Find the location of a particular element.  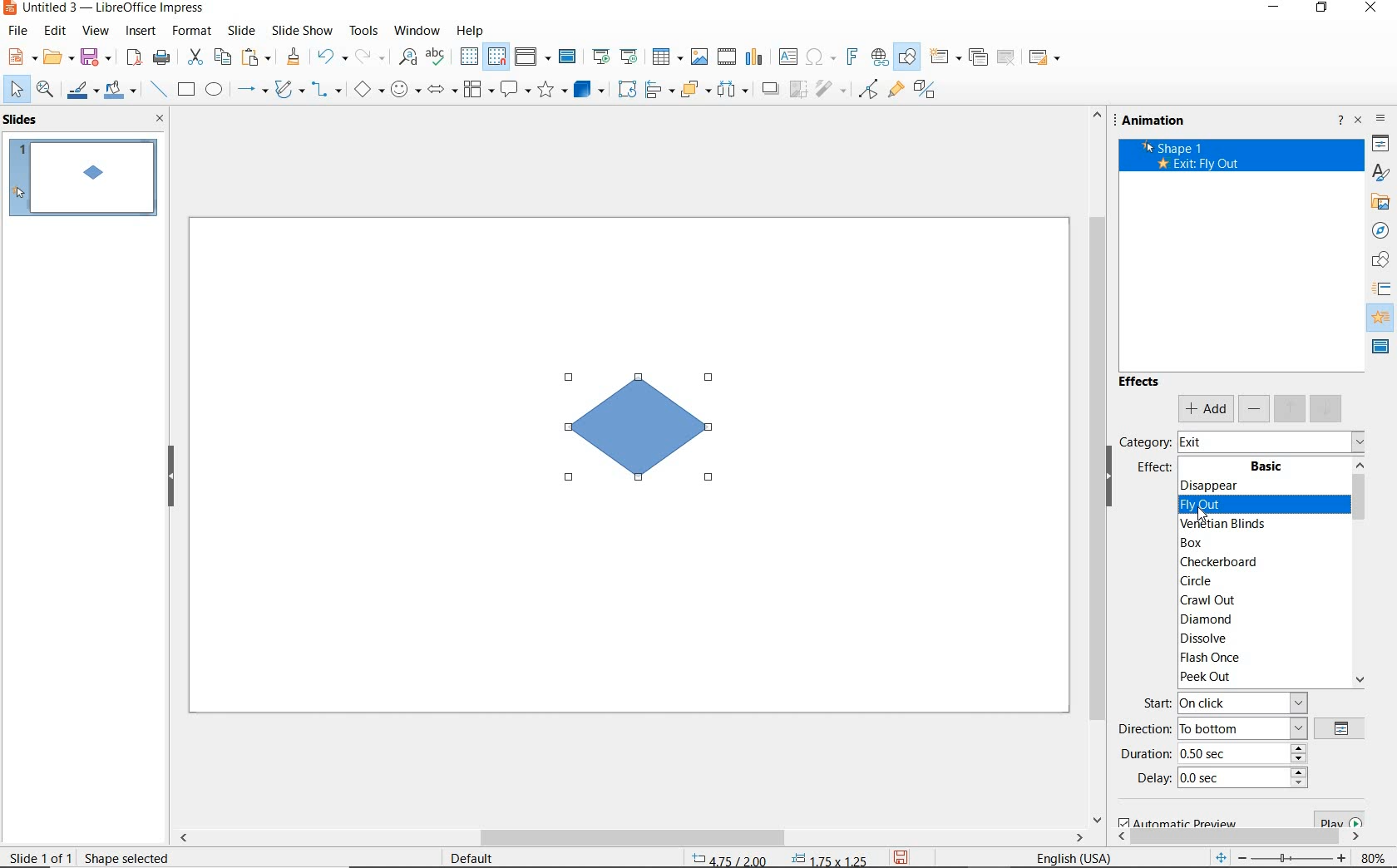

circle is located at coordinates (1261, 581).